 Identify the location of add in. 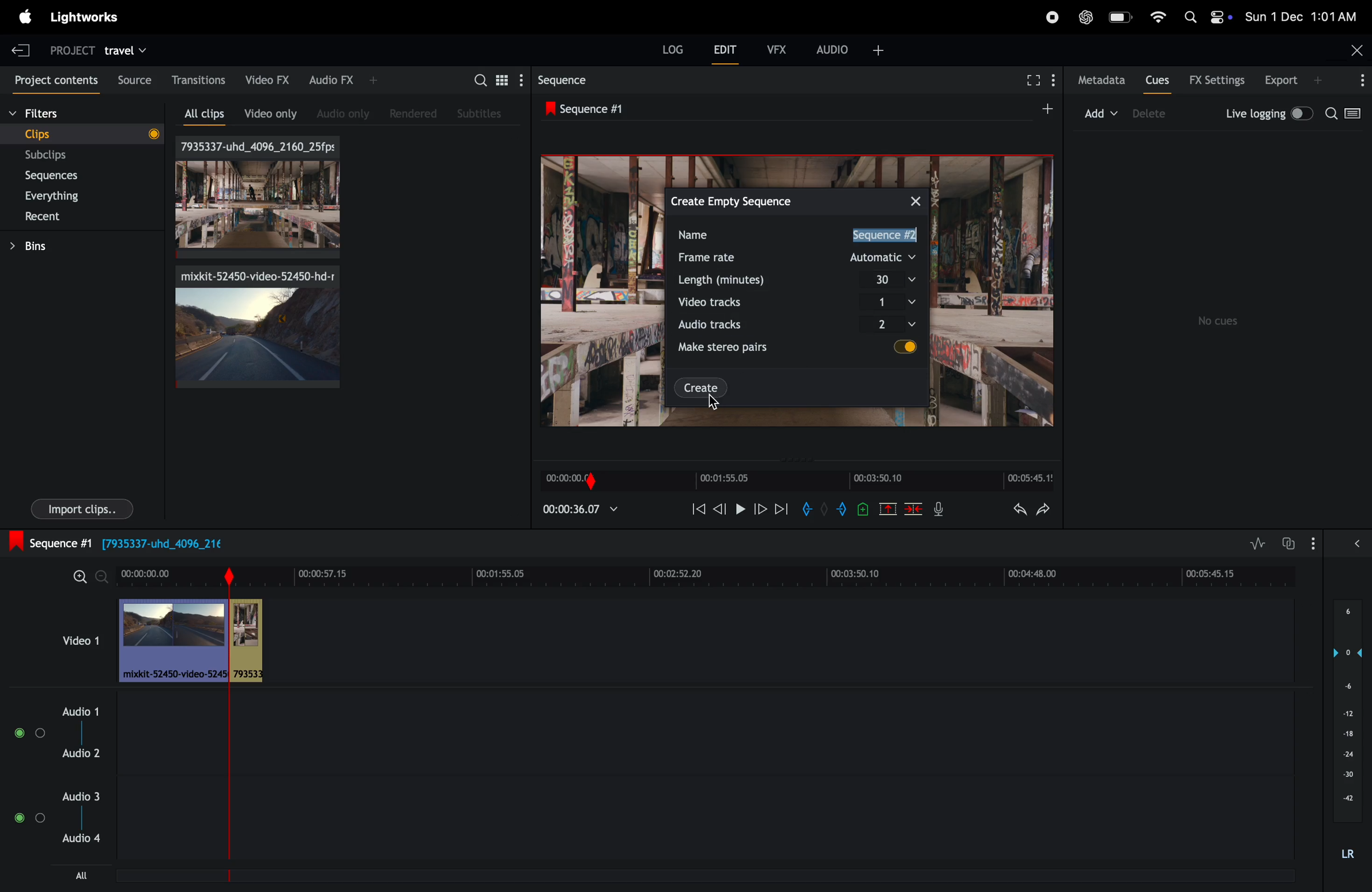
(810, 511).